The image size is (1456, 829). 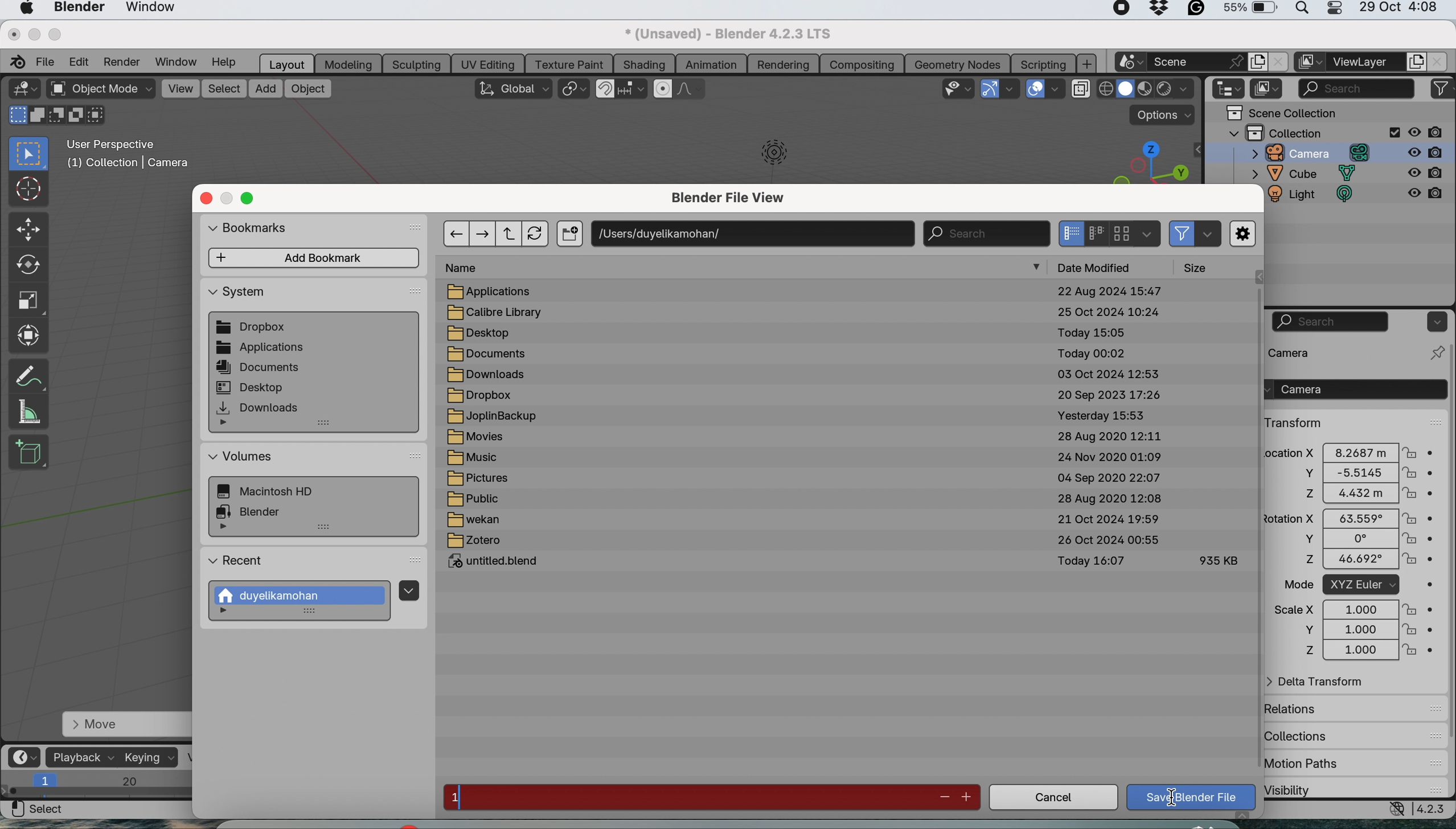 I want to click on show gizmos, so click(x=989, y=89).